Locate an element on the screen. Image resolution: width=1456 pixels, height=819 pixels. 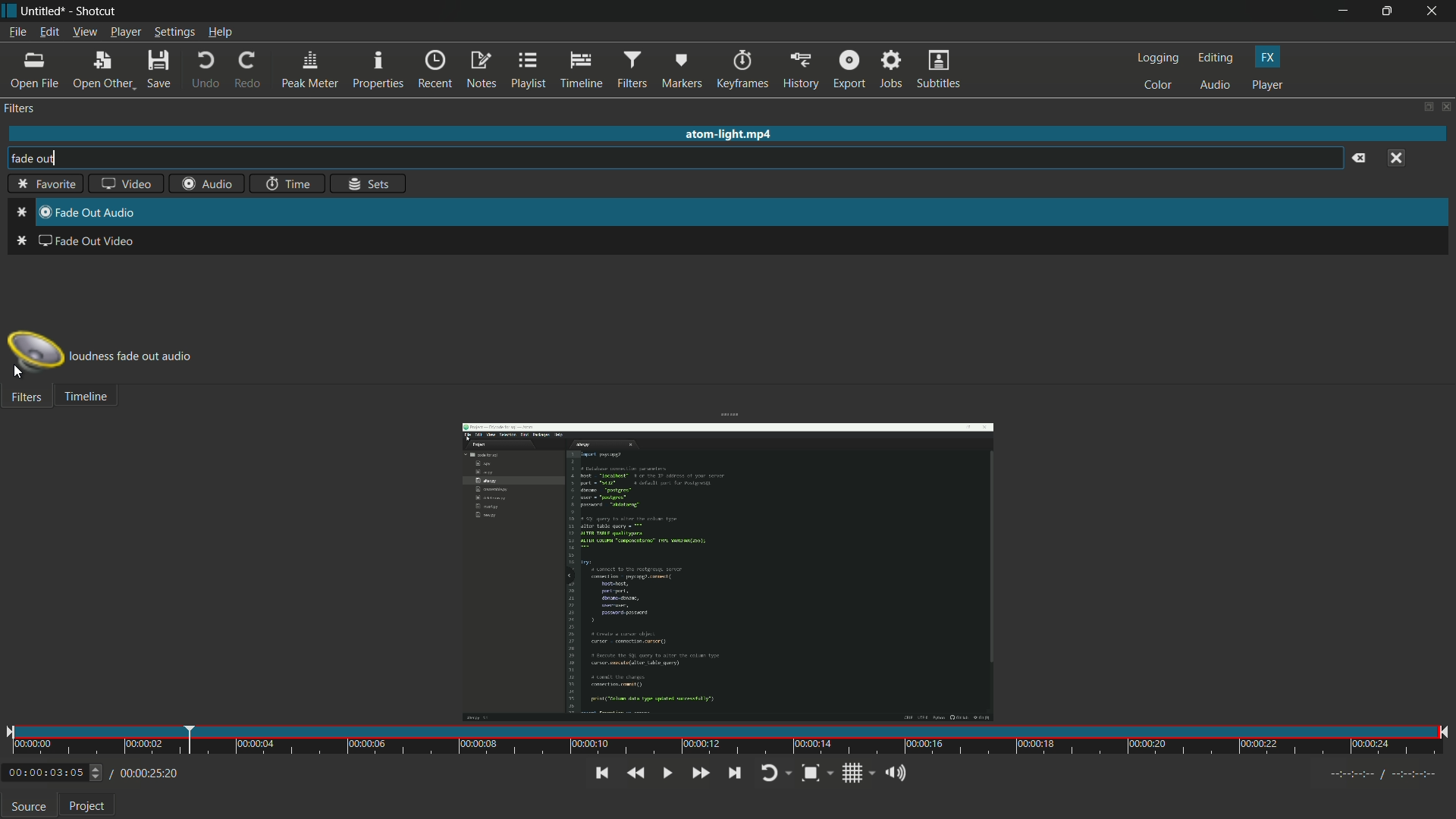
opened file is located at coordinates (726, 566).